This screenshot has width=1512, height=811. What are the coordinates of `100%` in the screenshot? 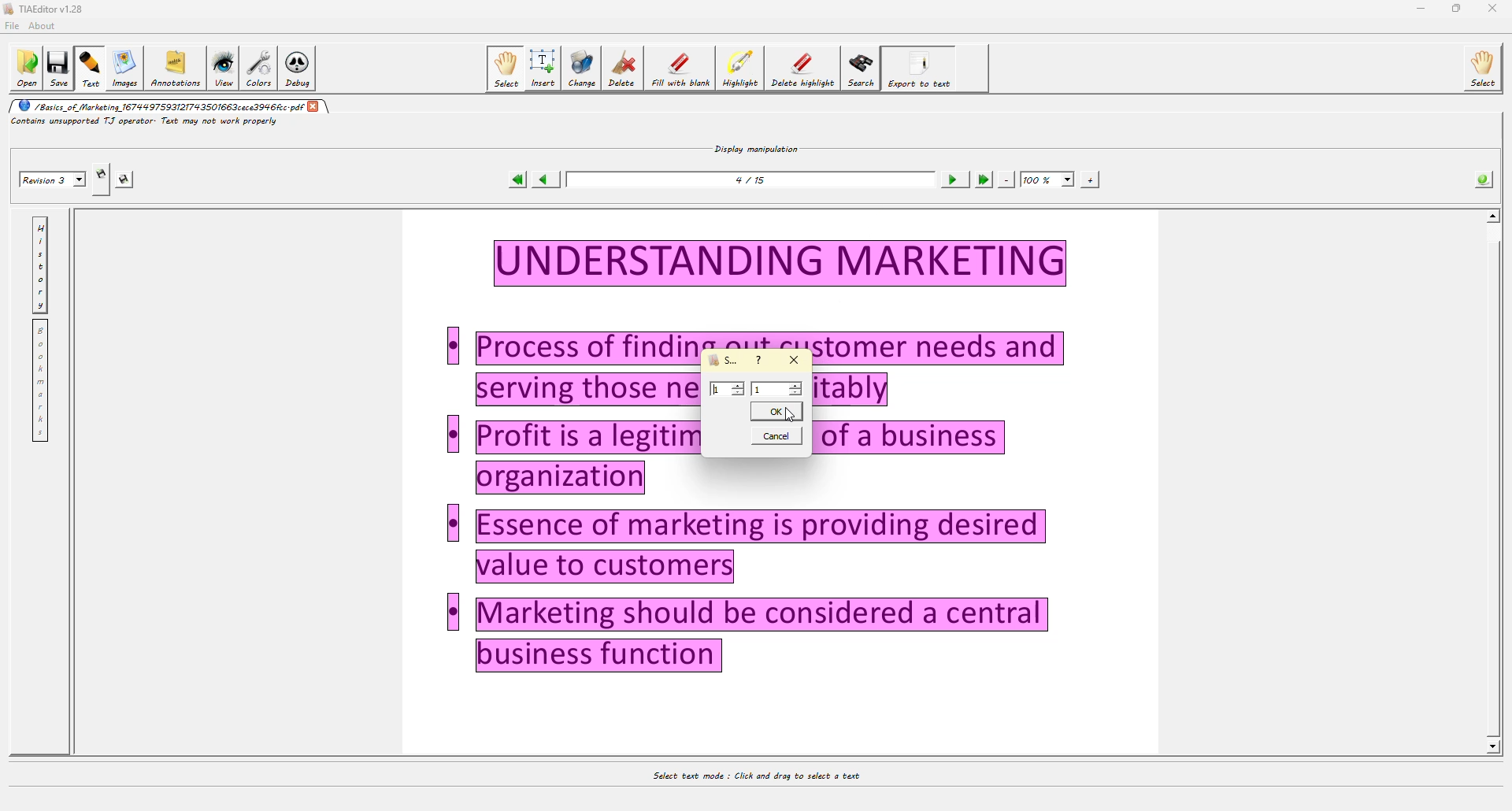 It's located at (1048, 179).